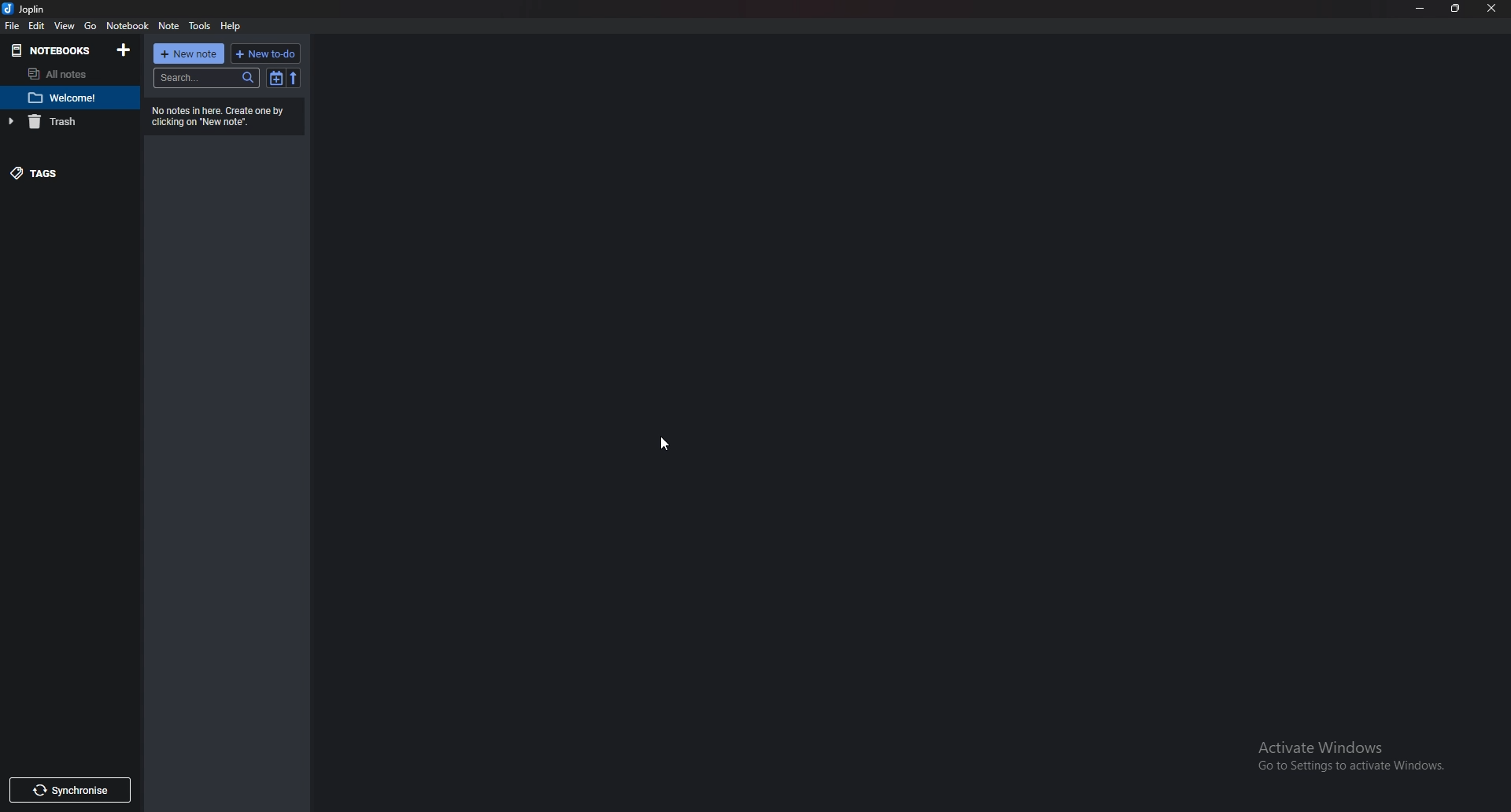 The height and width of the screenshot is (812, 1511). What do you see at coordinates (200, 26) in the screenshot?
I see `Tools` at bounding box center [200, 26].